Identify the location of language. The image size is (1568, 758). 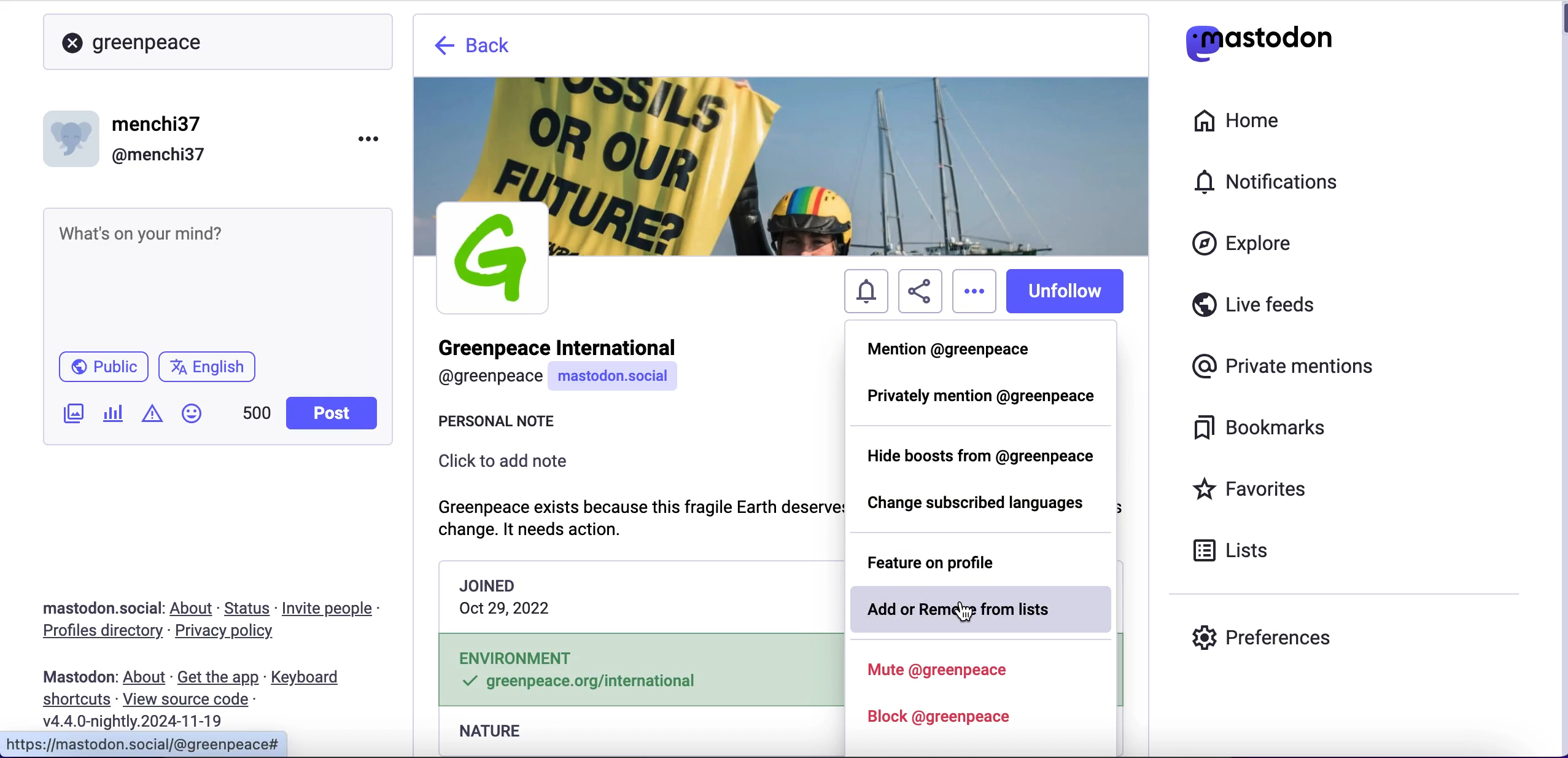
(212, 372).